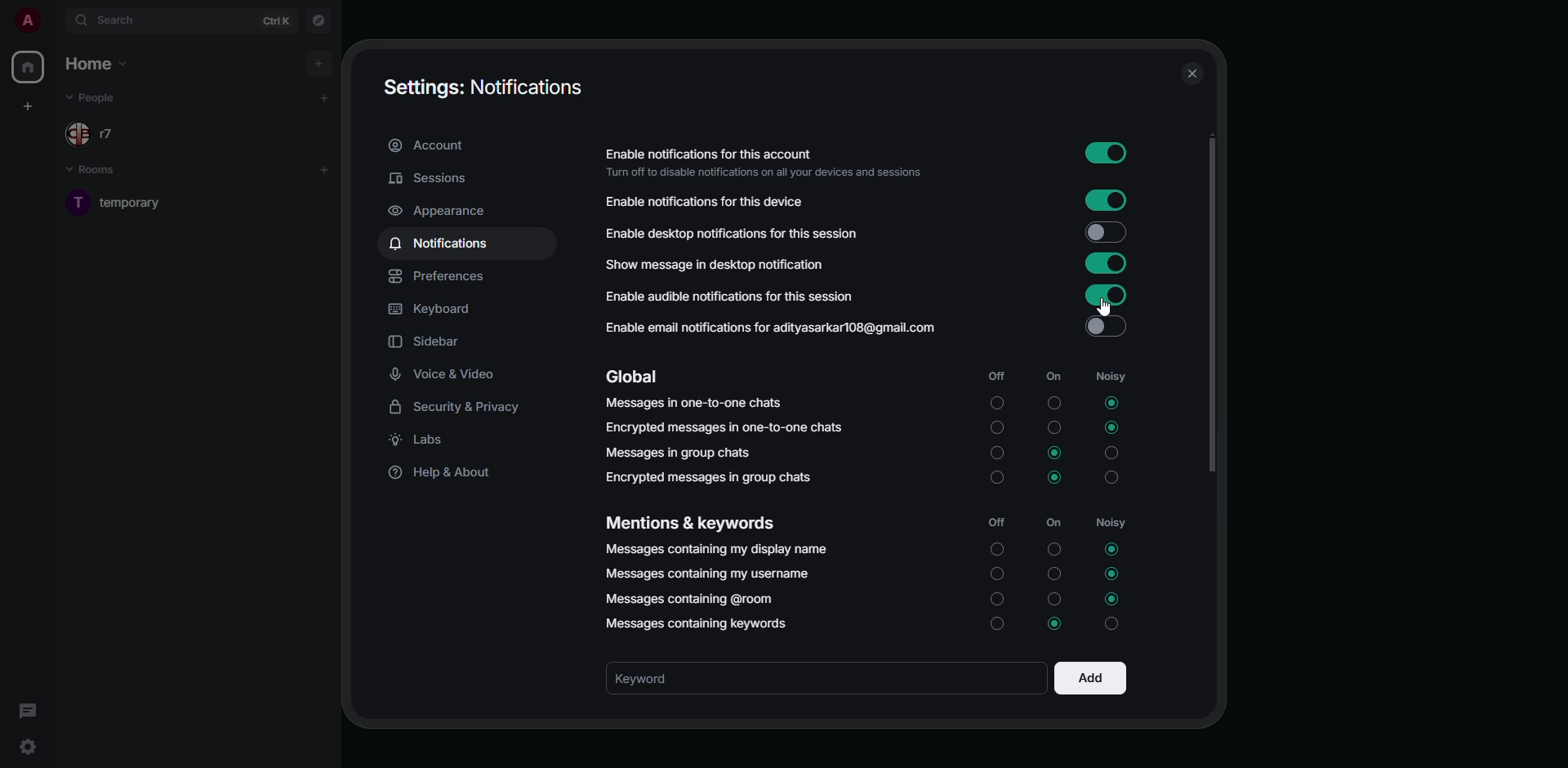  What do you see at coordinates (995, 375) in the screenshot?
I see `off` at bounding box center [995, 375].